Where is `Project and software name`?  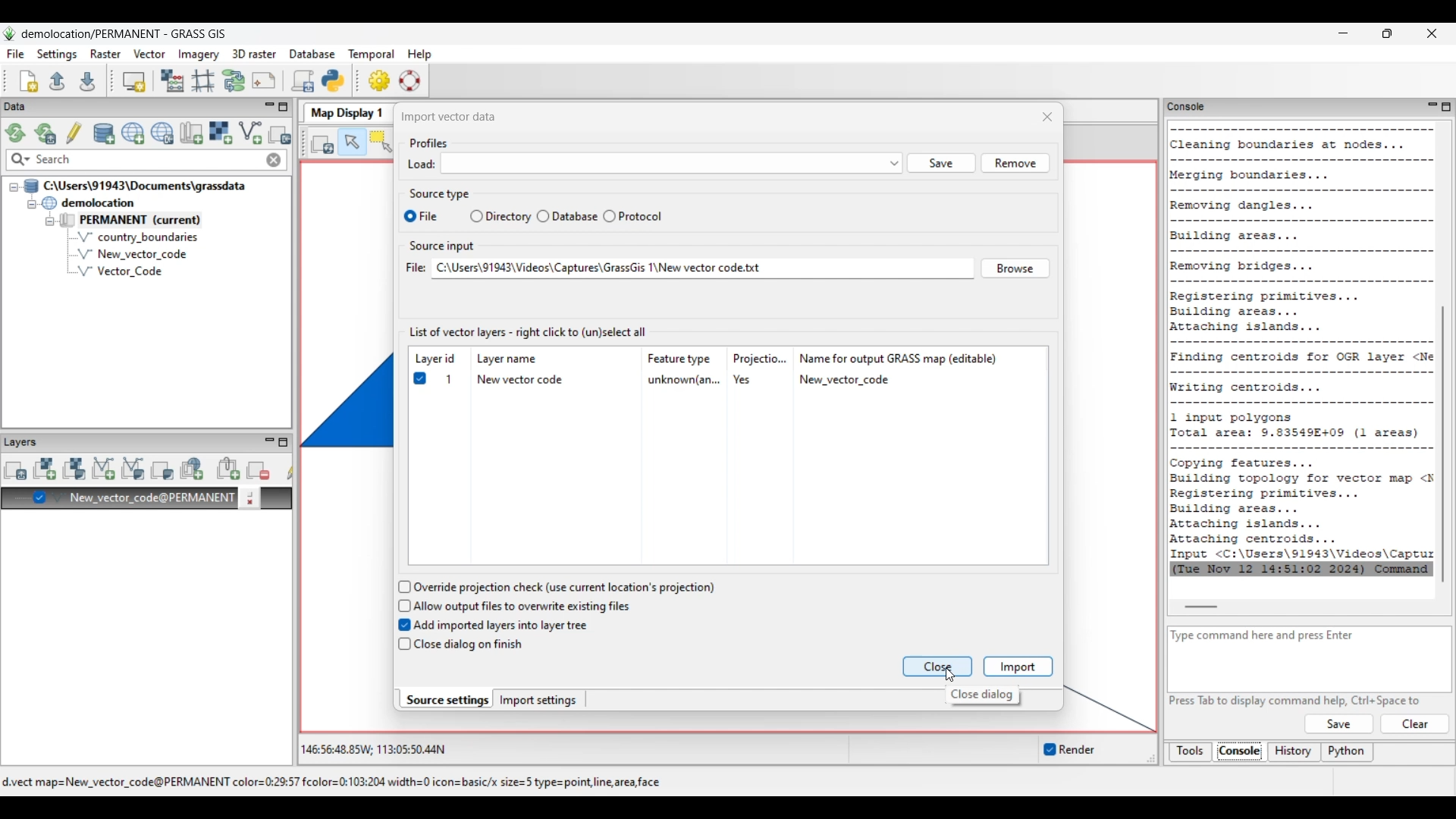
Project and software name is located at coordinates (124, 34).